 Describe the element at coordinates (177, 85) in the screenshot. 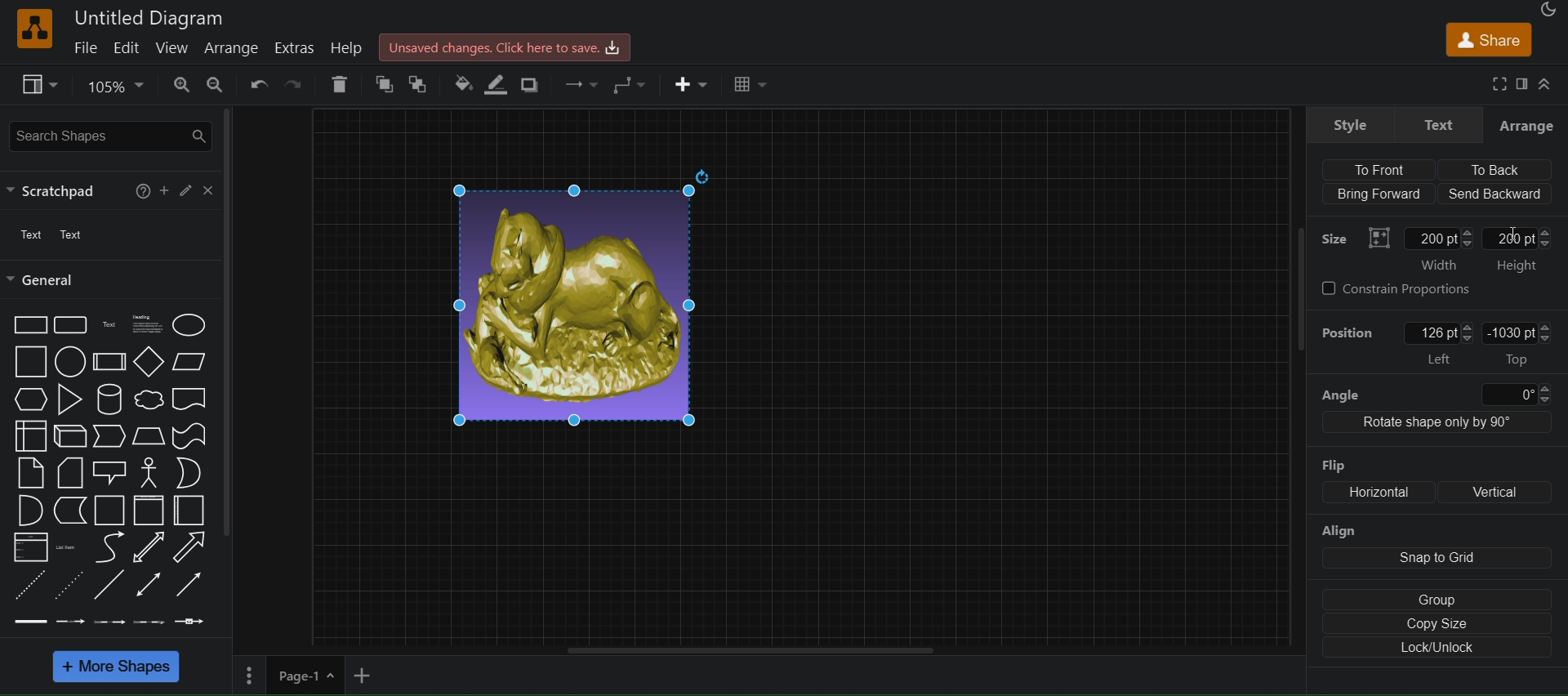

I see `zoom in` at that location.